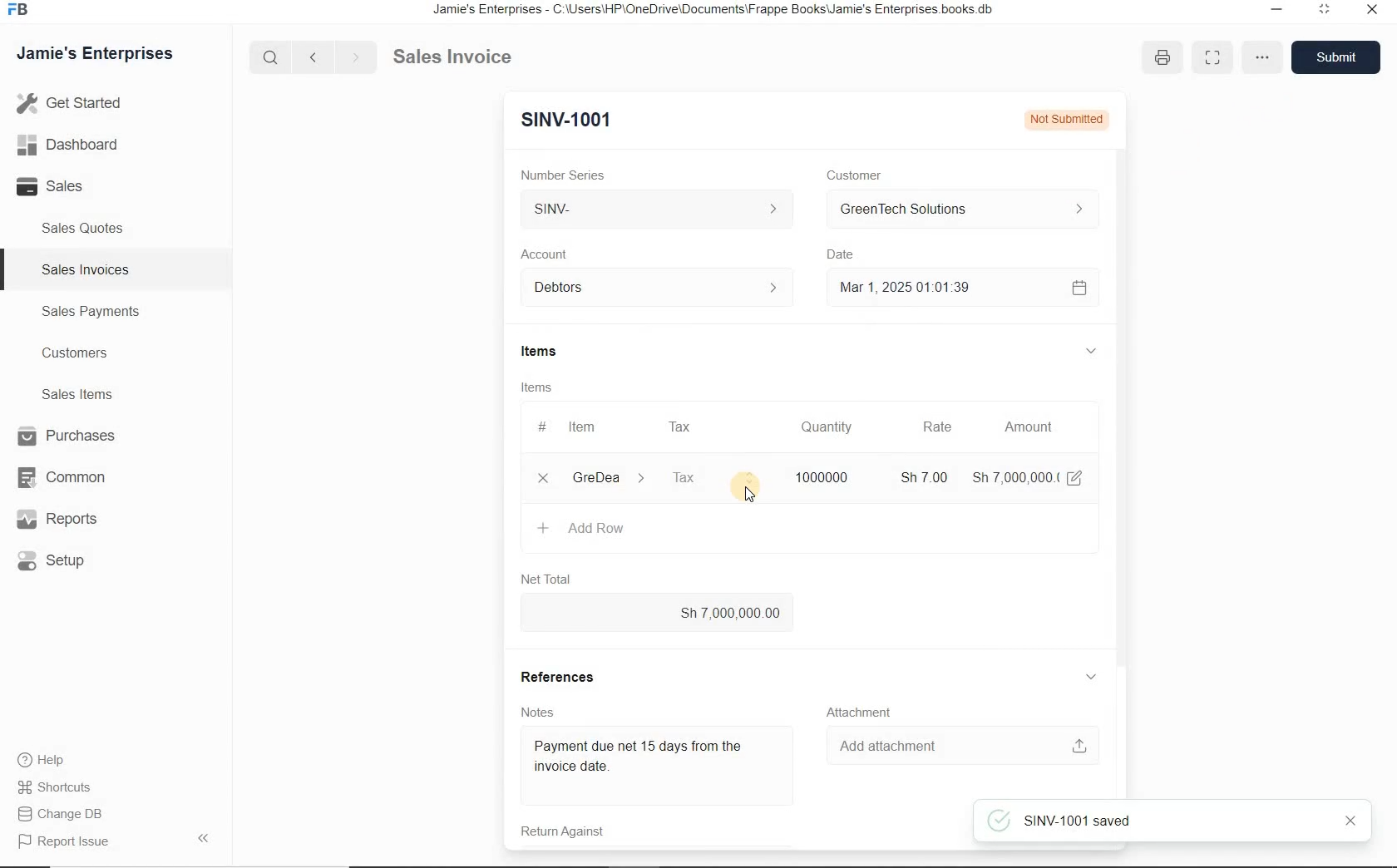 The width and height of the screenshot is (1397, 868). What do you see at coordinates (960, 743) in the screenshot?
I see `‘Add attachment` at bounding box center [960, 743].